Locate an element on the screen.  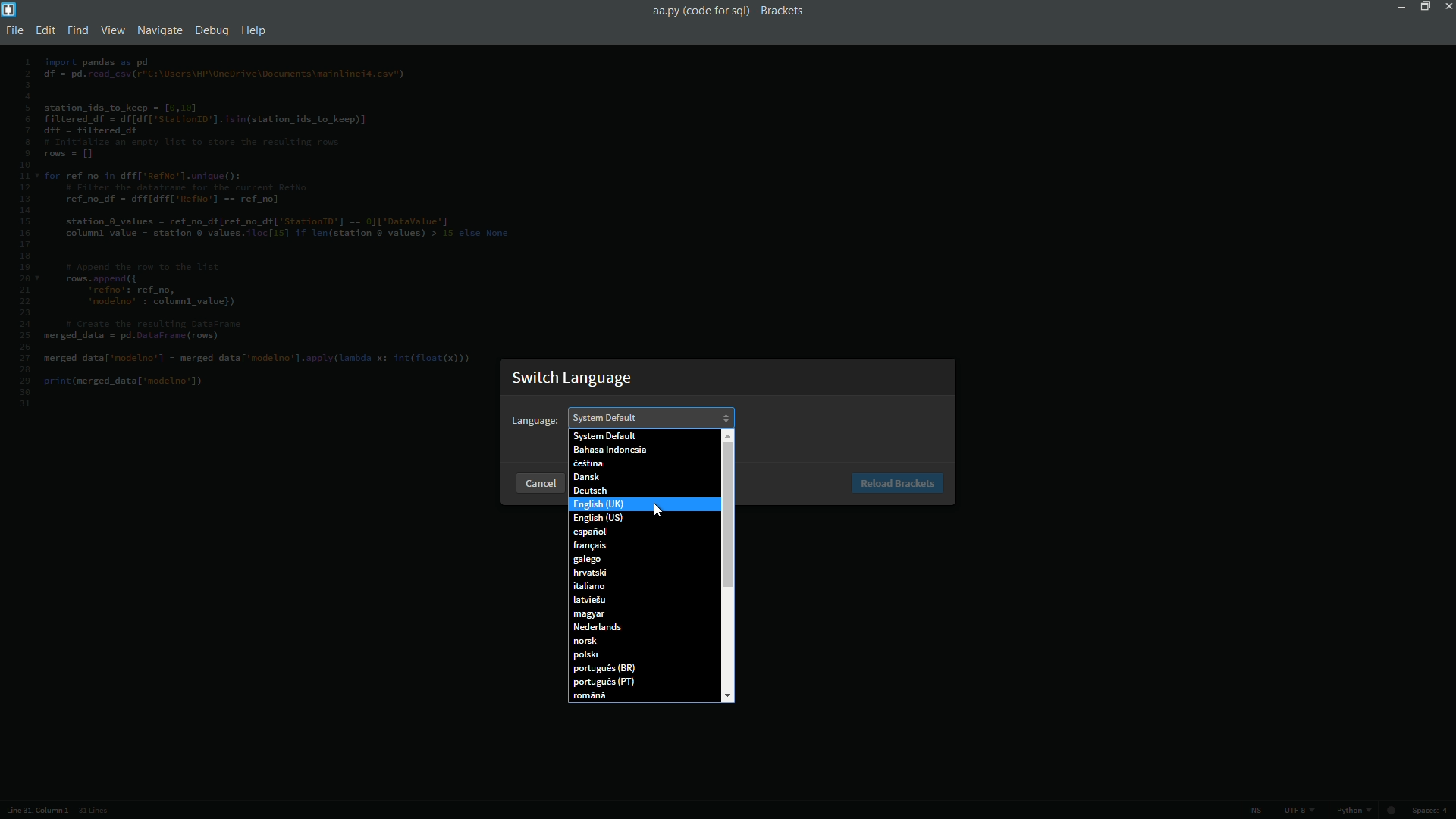
language-7 is located at coordinates (590, 532).